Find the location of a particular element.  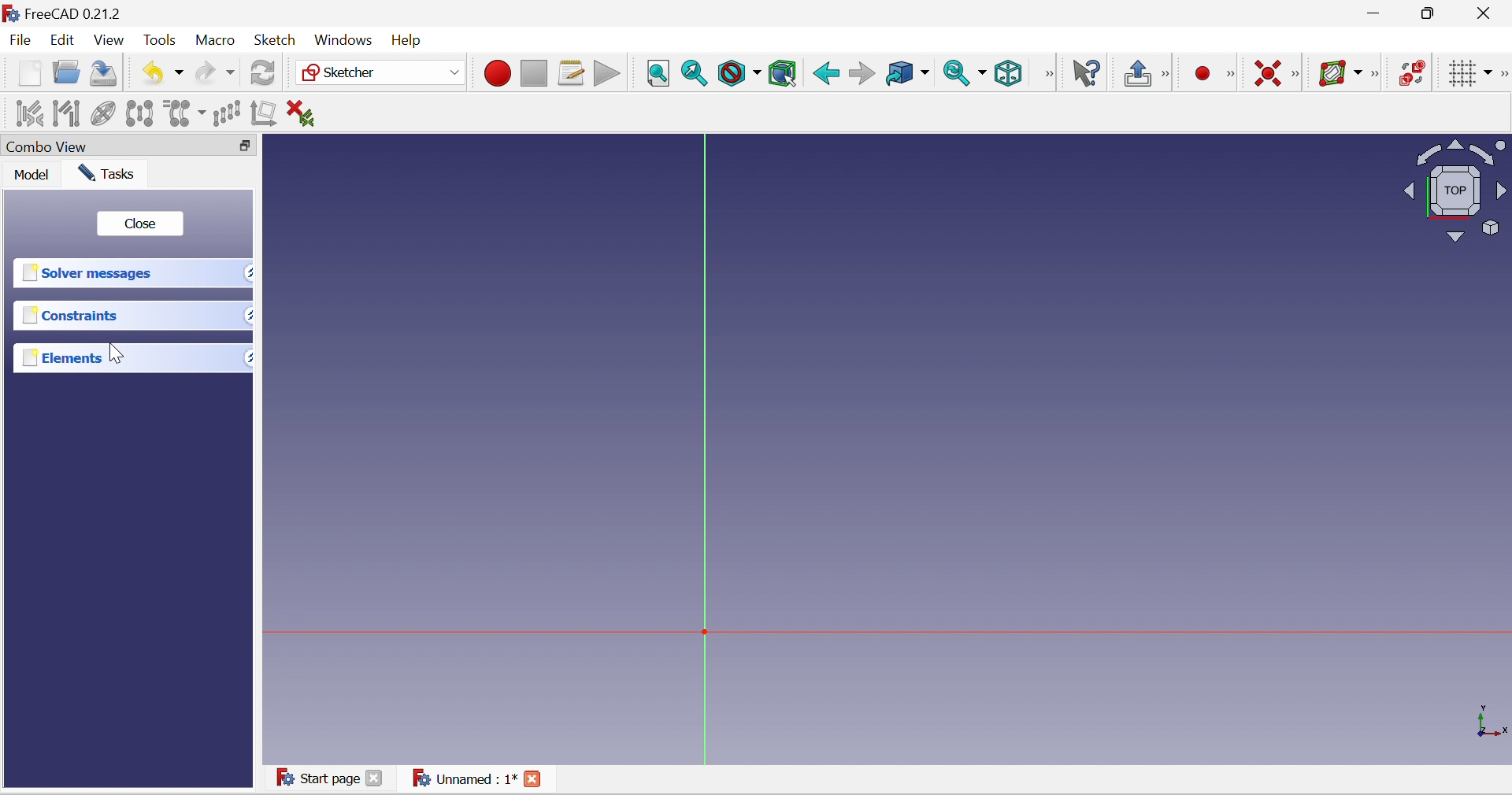

Bounding box is located at coordinates (782, 73).